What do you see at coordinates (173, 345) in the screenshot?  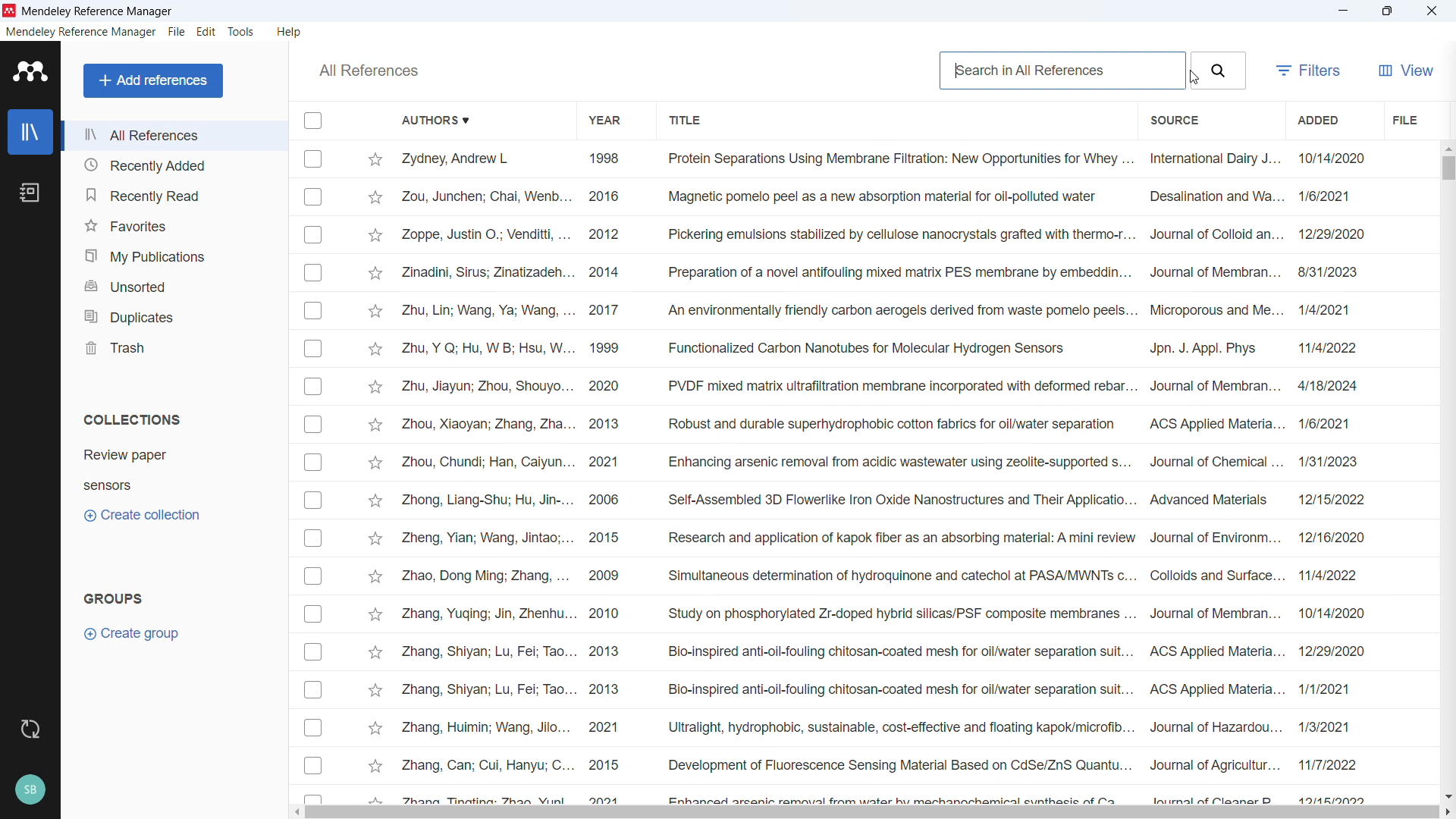 I see `Trash ` at bounding box center [173, 345].